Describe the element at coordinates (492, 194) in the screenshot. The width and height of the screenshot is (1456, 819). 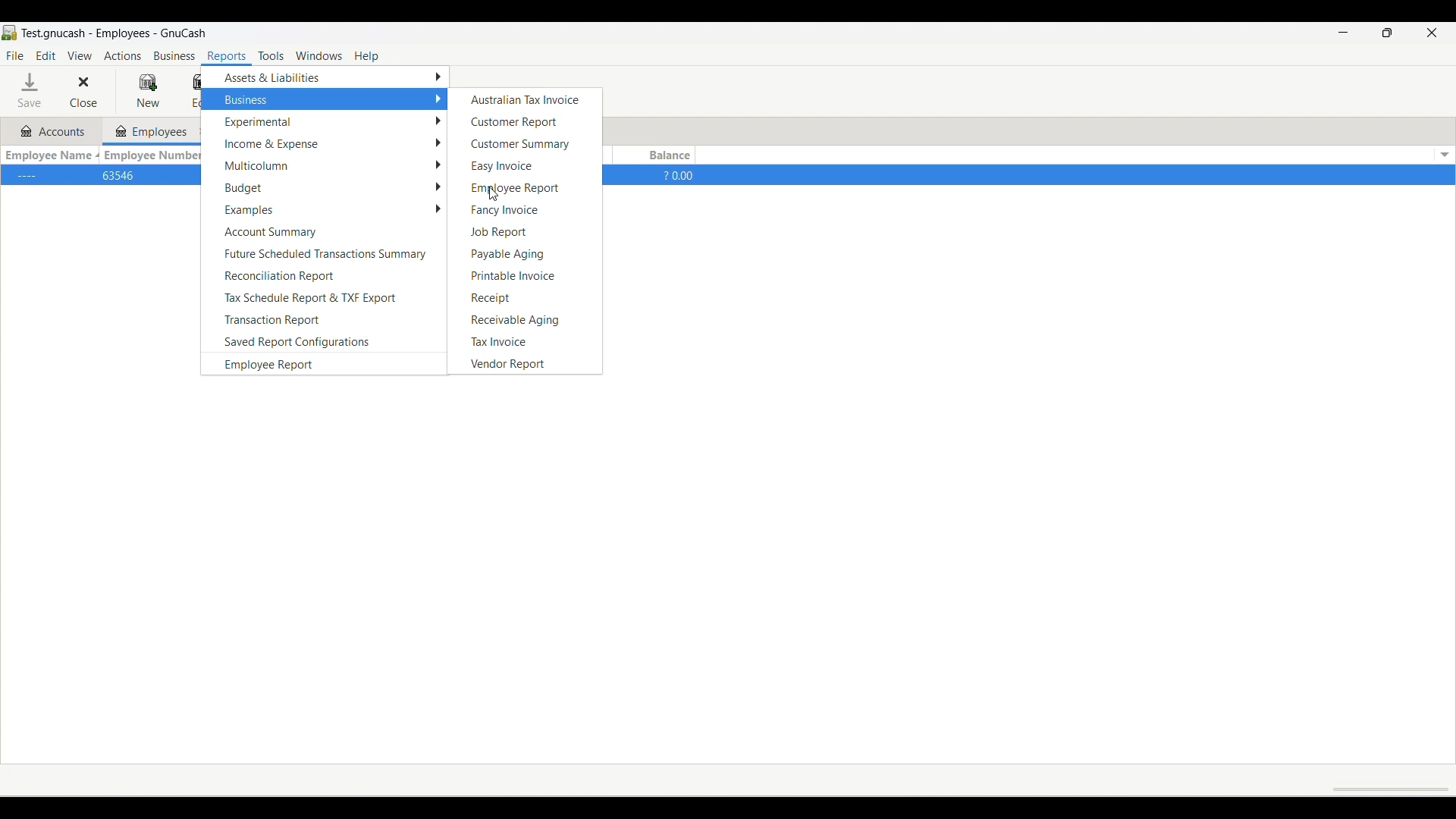
I see `Cursor clicking on employee report` at that location.